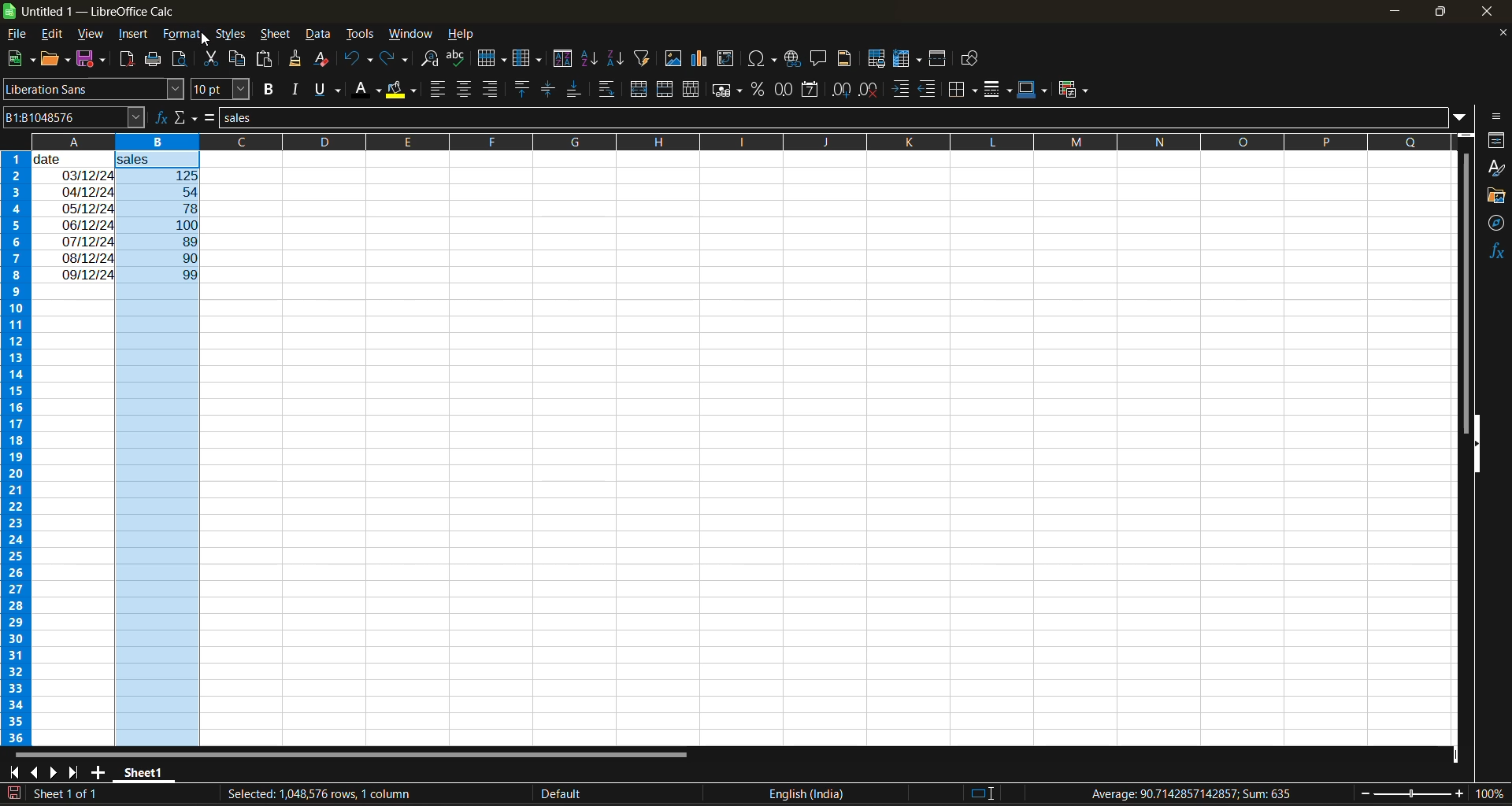  I want to click on align right, so click(491, 88).